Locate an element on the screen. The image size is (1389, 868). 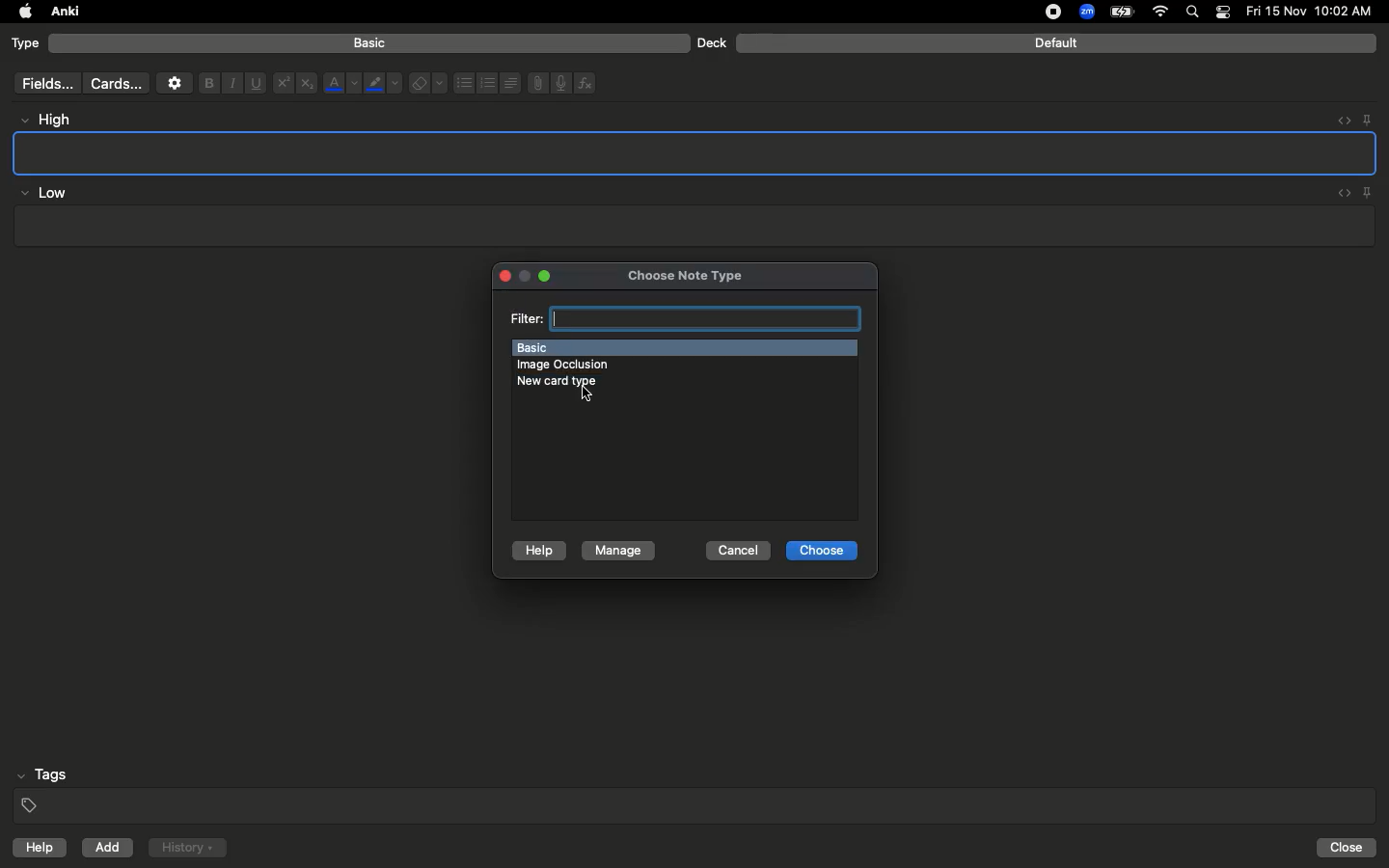
Voice recorder is located at coordinates (559, 81).